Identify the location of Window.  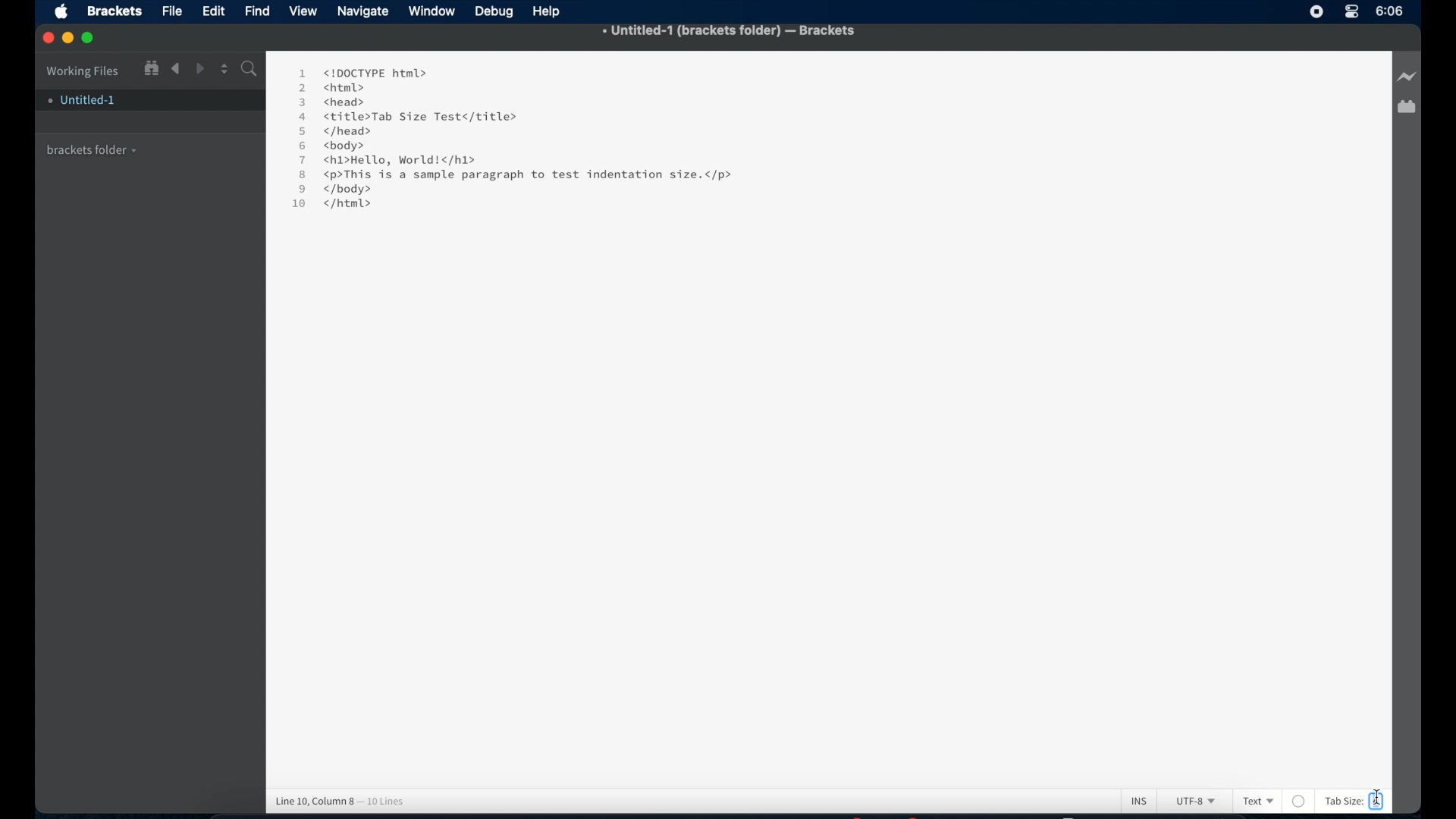
(434, 11).